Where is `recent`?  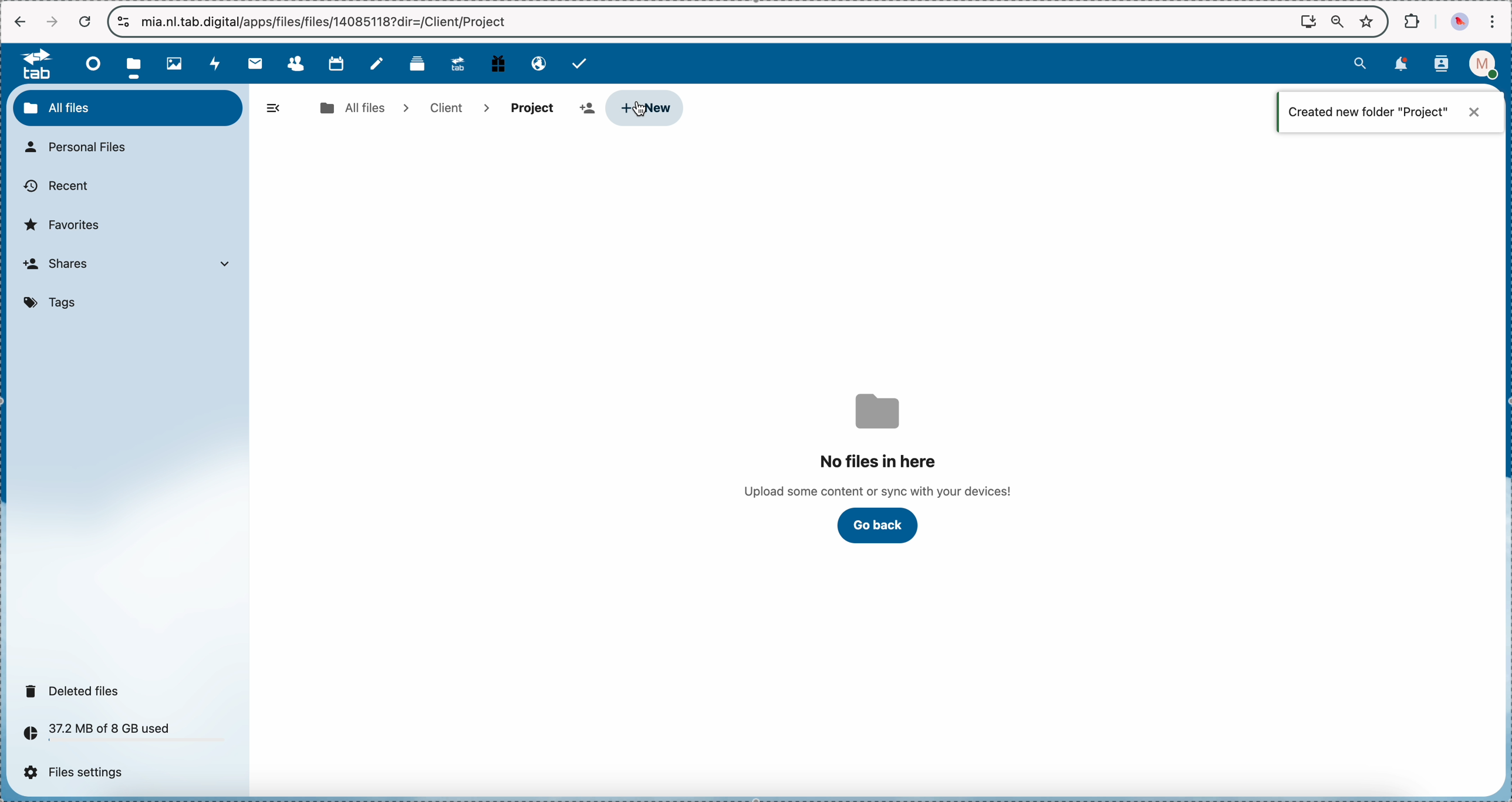 recent is located at coordinates (55, 187).